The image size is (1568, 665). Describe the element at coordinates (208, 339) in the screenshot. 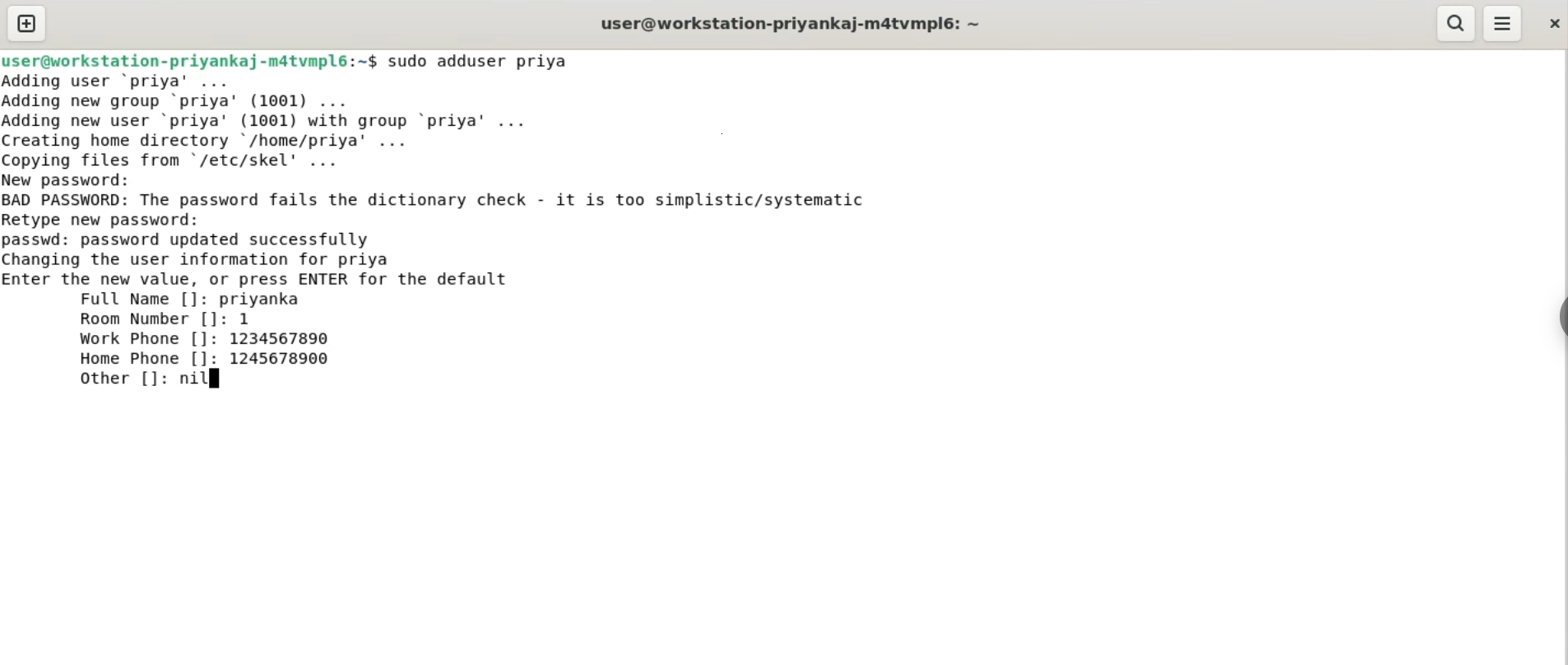

I see `Work Phone []: 1234567890` at that location.